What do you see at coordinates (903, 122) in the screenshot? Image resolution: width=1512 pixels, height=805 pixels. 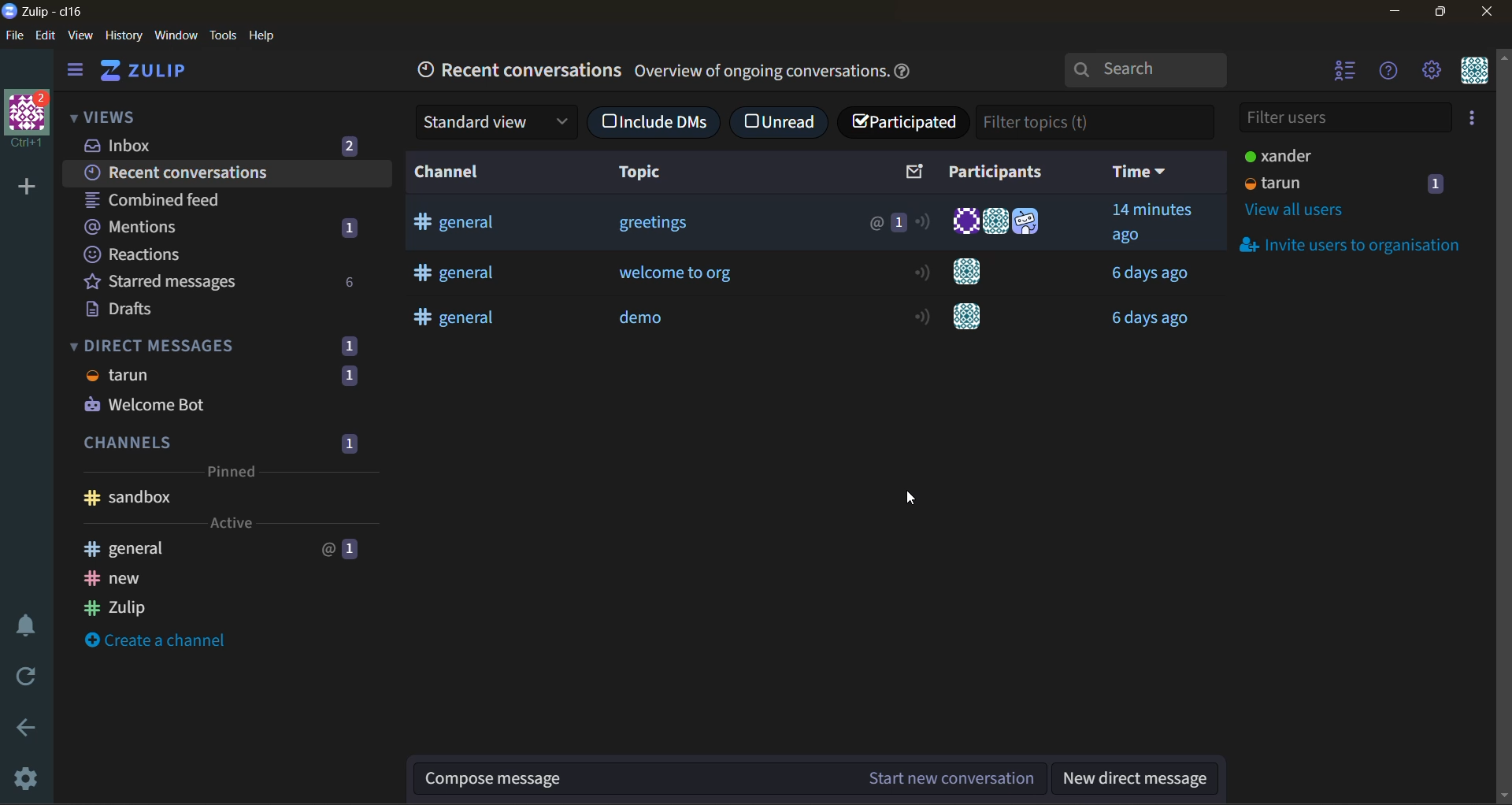 I see `checkbox ticked` at bounding box center [903, 122].